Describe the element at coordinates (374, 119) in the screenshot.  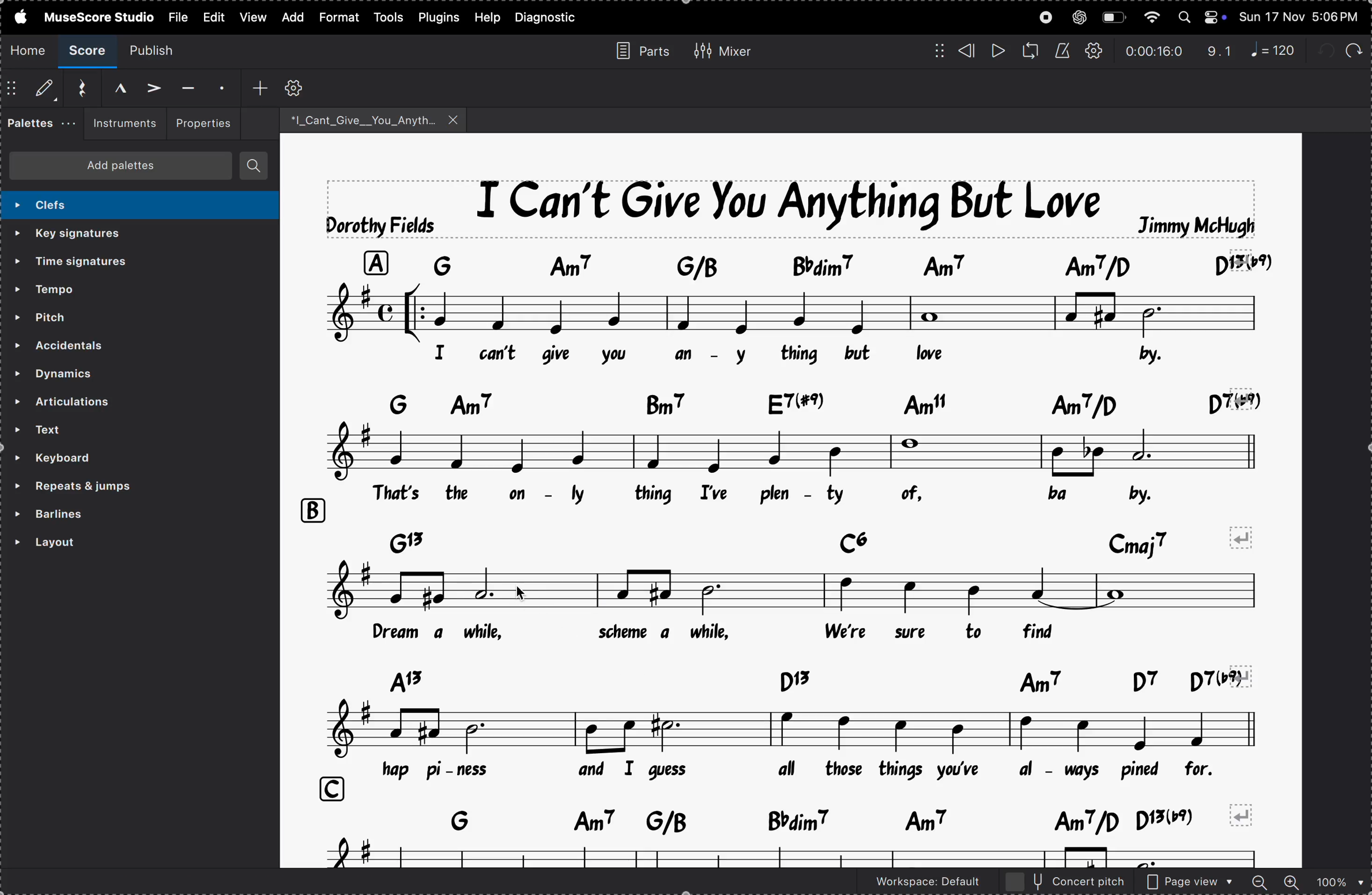
I see `song file` at that location.